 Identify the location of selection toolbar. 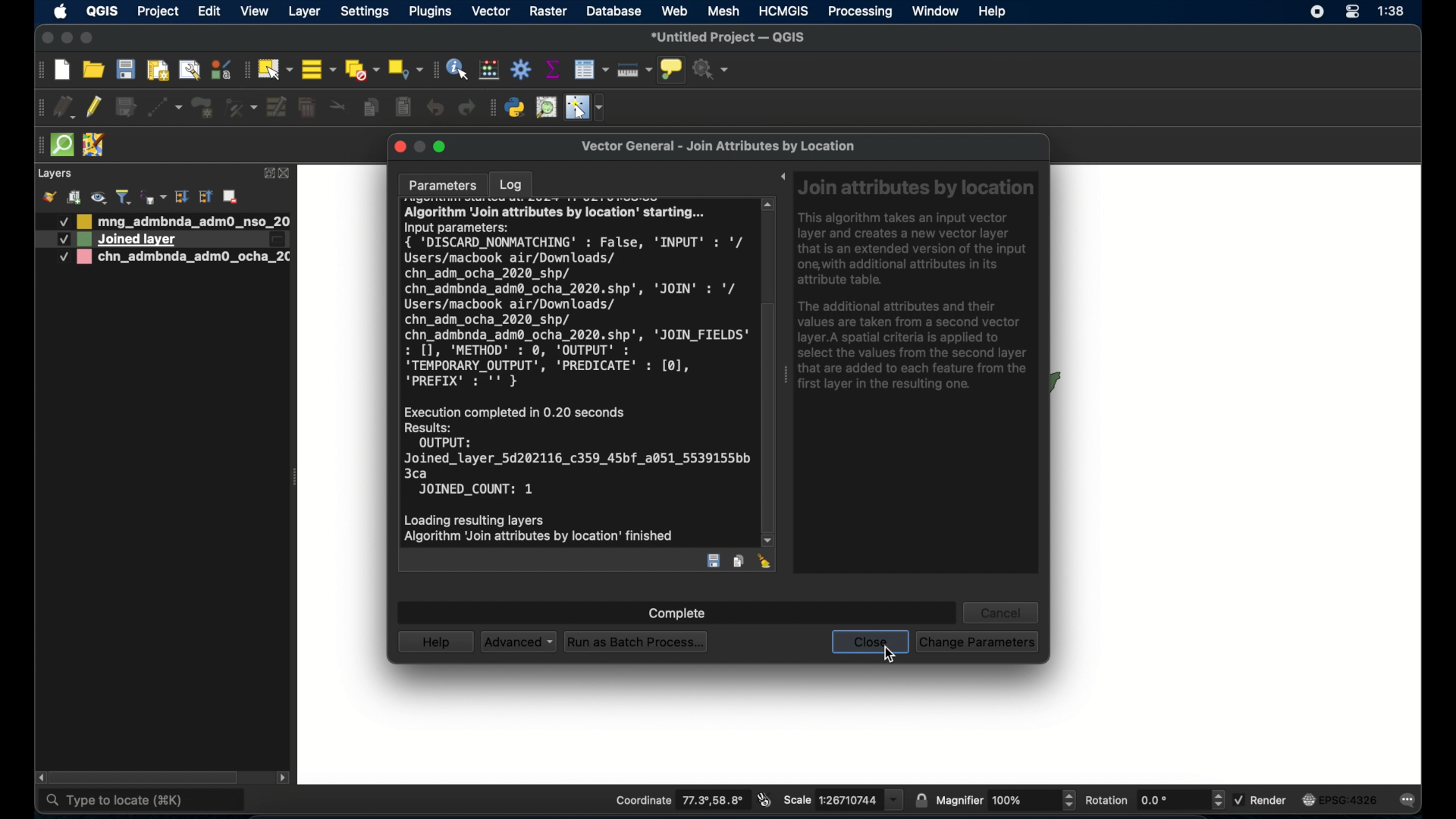
(243, 70).